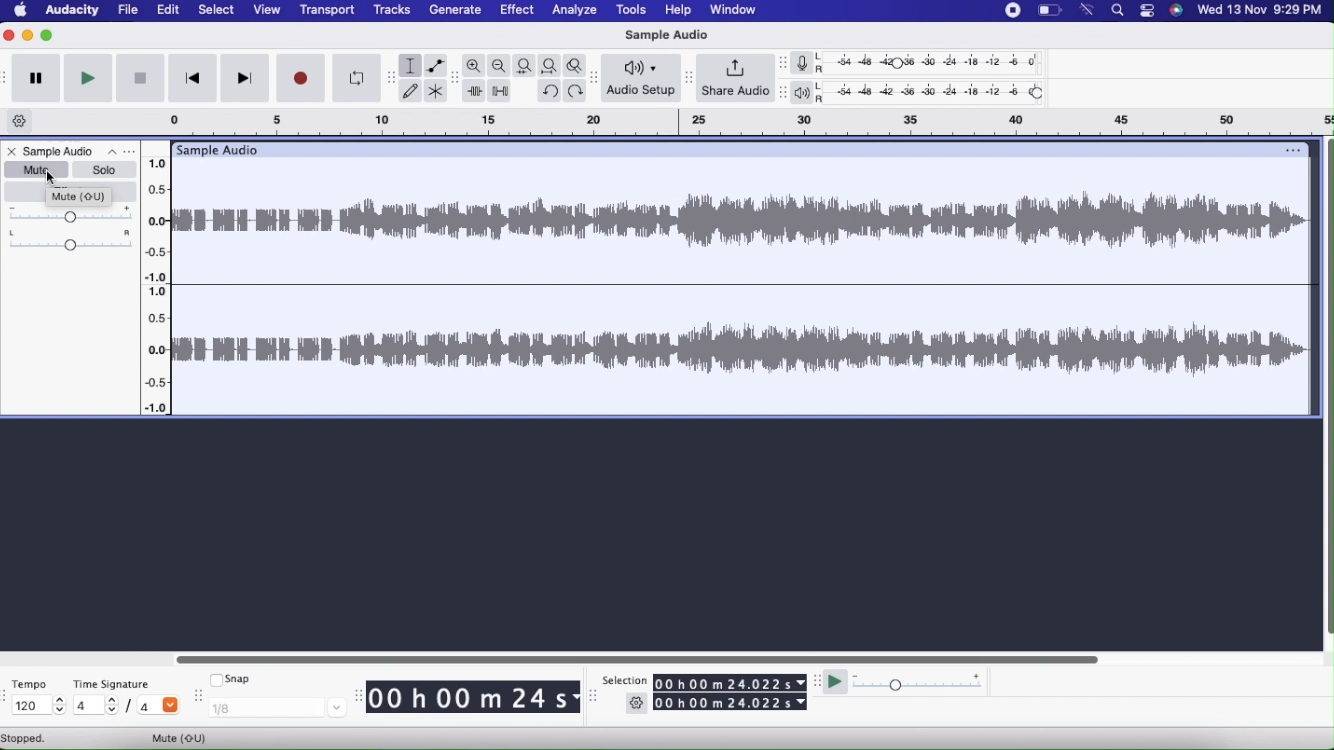 Image resolution: width=1334 pixels, height=750 pixels. What do you see at coordinates (687, 74) in the screenshot?
I see `Adjust` at bounding box center [687, 74].